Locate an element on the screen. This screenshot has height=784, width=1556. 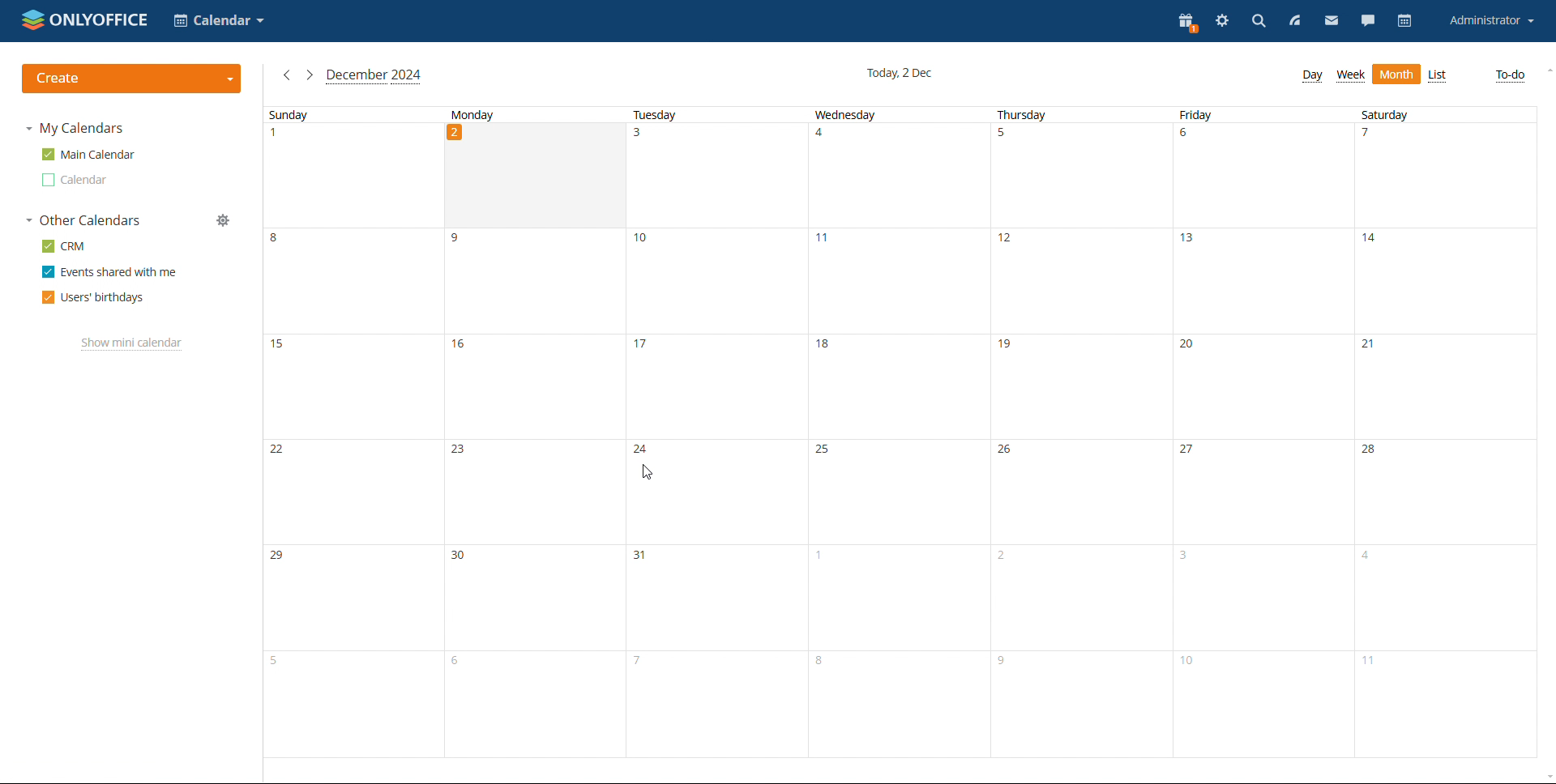
5 is located at coordinates (1004, 137).